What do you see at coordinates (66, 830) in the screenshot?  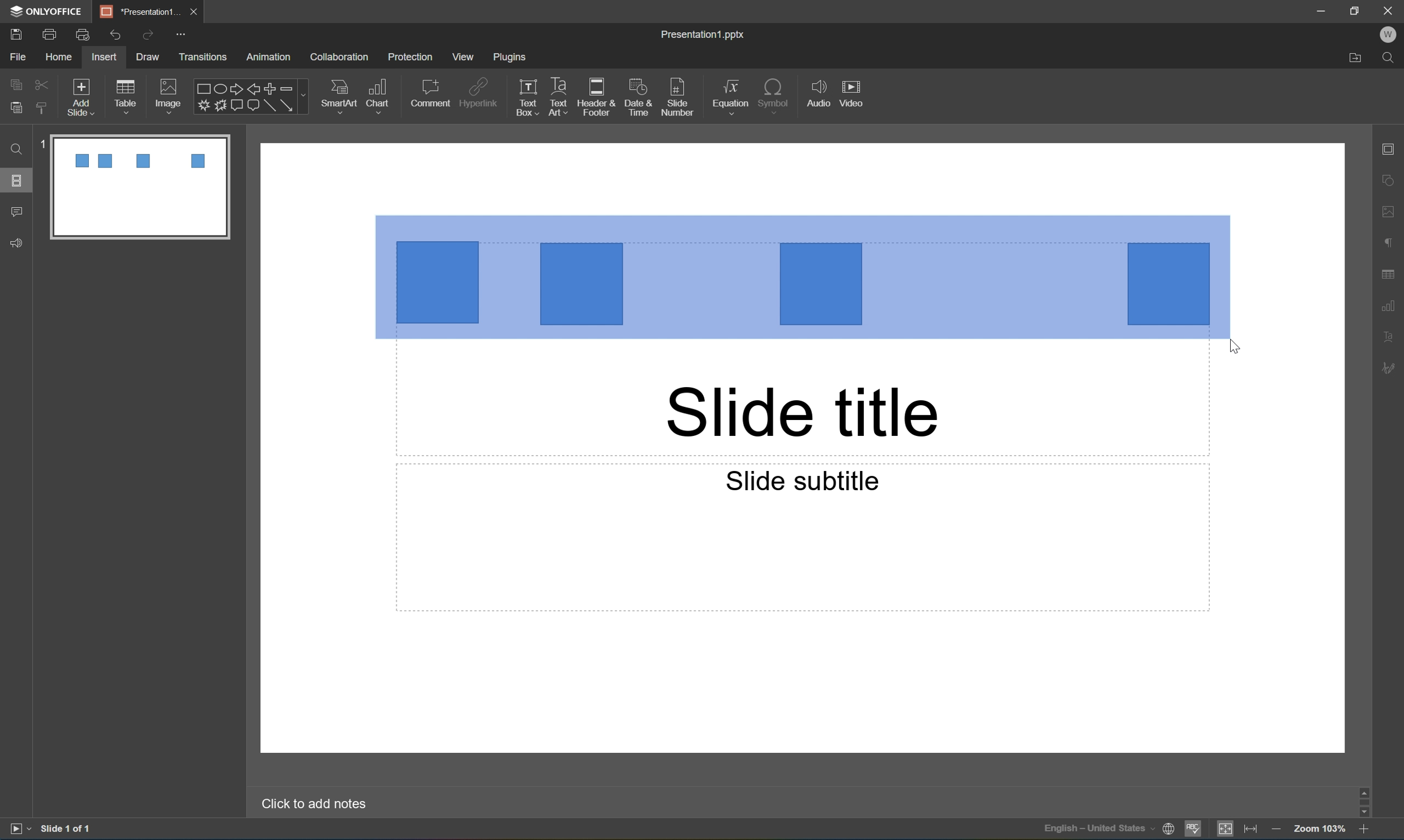 I see `slide 1 of 1` at bounding box center [66, 830].